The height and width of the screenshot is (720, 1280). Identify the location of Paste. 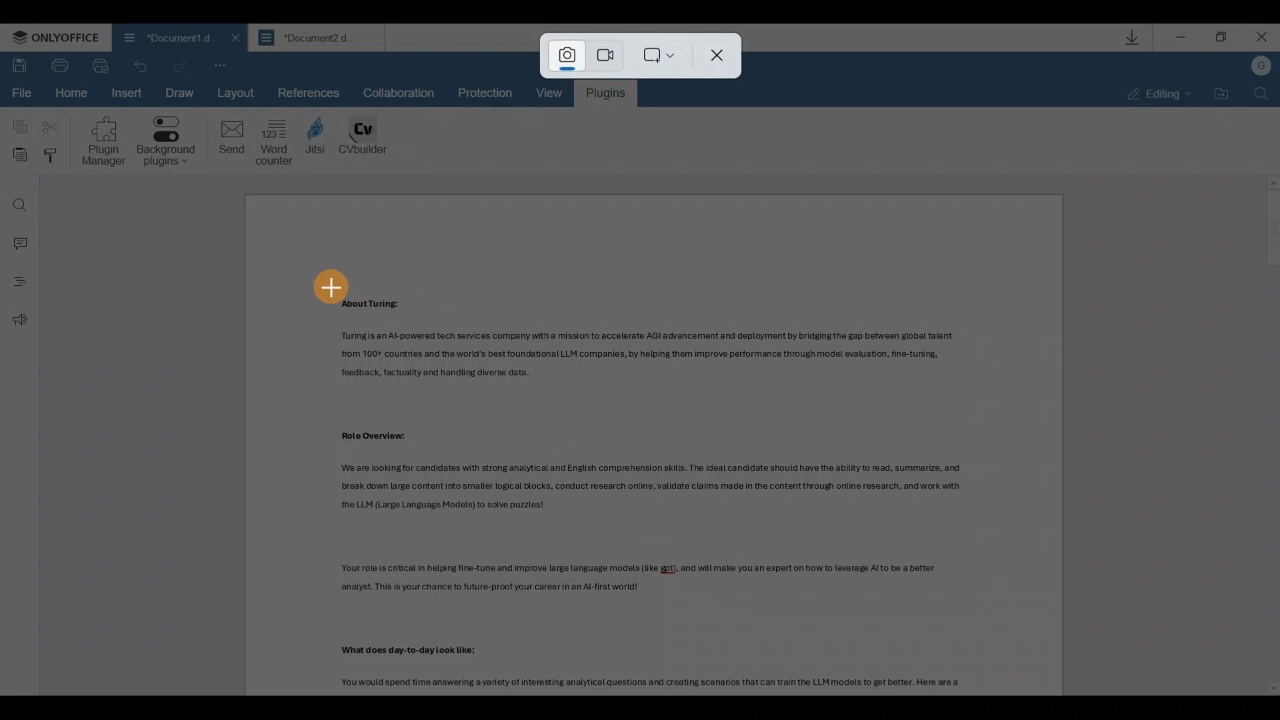
(17, 156).